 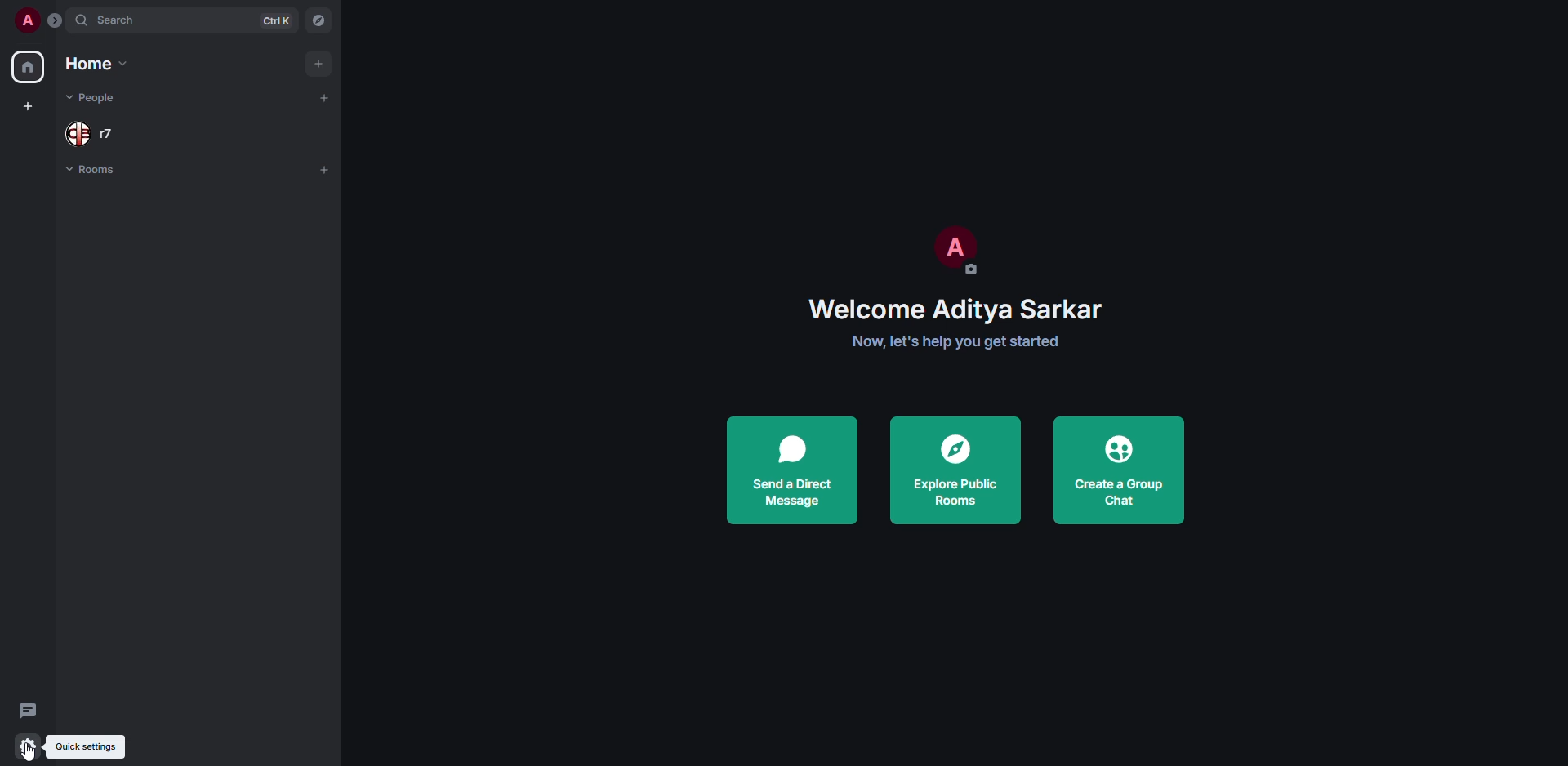 What do you see at coordinates (796, 465) in the screenshot?
I see `send direct message` at bounding box center [796, 465].